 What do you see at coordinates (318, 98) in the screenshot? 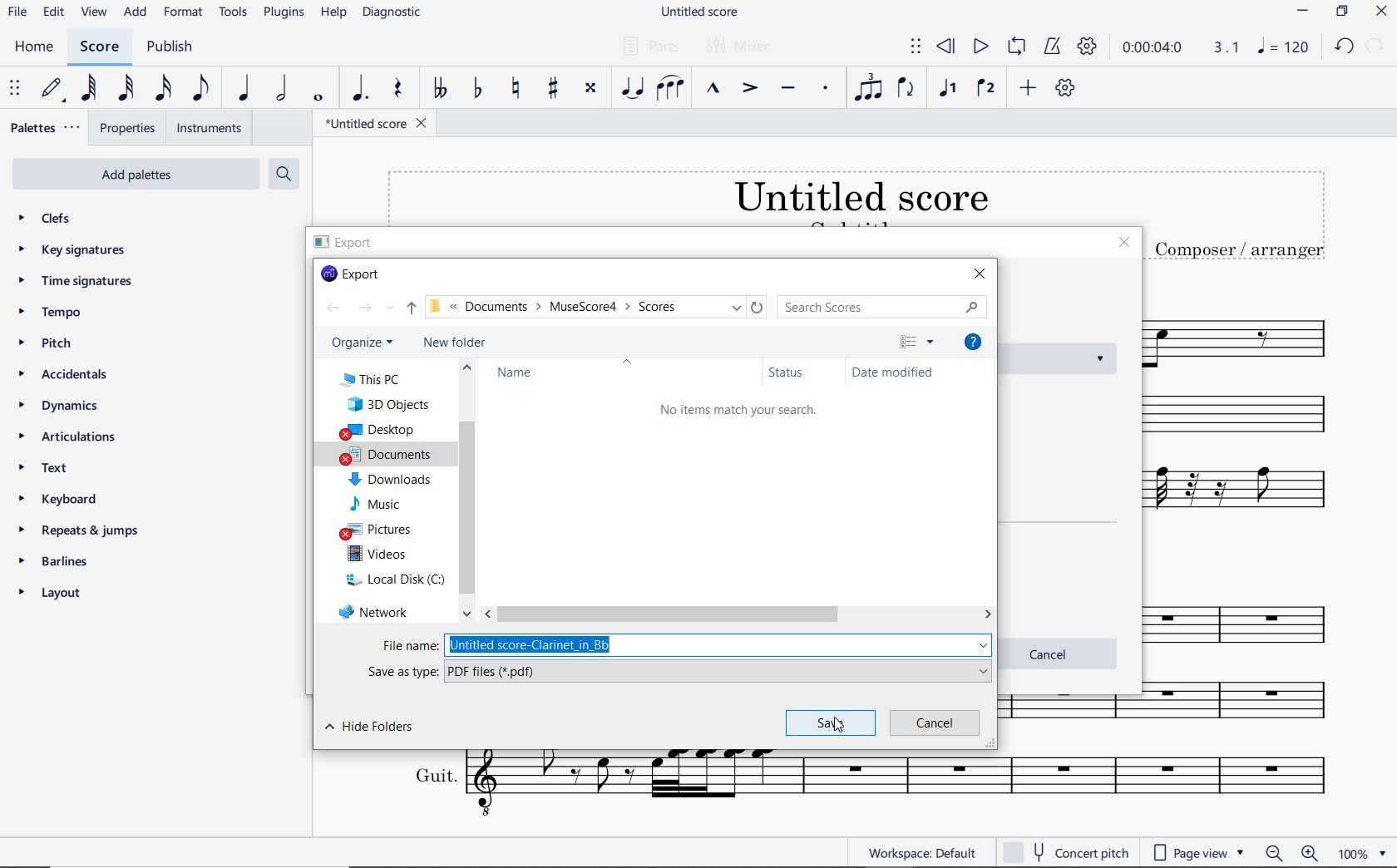
I see `WHOLE NOTE` at bounding box center [318, 98].